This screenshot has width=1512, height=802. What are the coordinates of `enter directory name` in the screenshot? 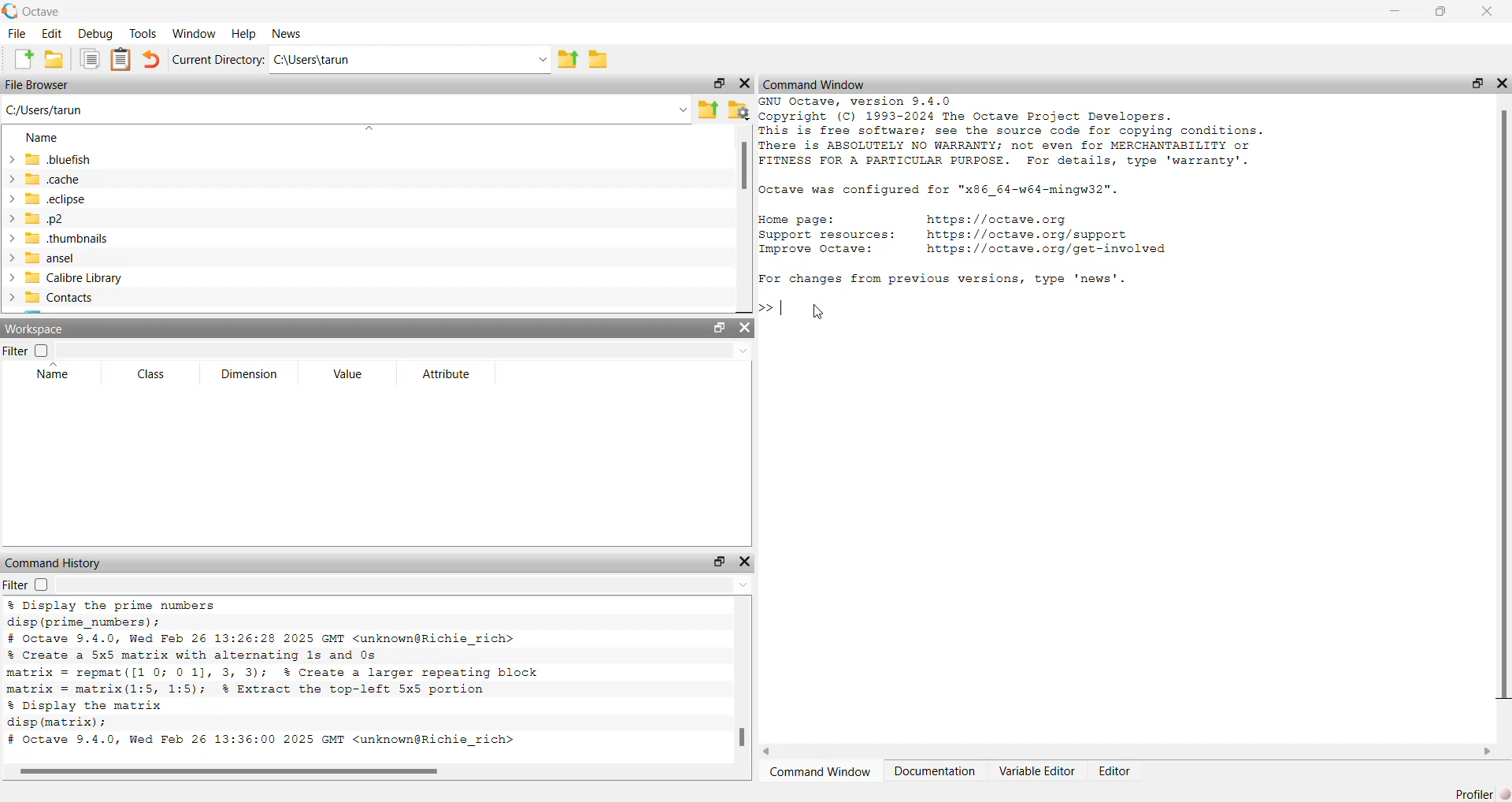 It's located at (413, 60).